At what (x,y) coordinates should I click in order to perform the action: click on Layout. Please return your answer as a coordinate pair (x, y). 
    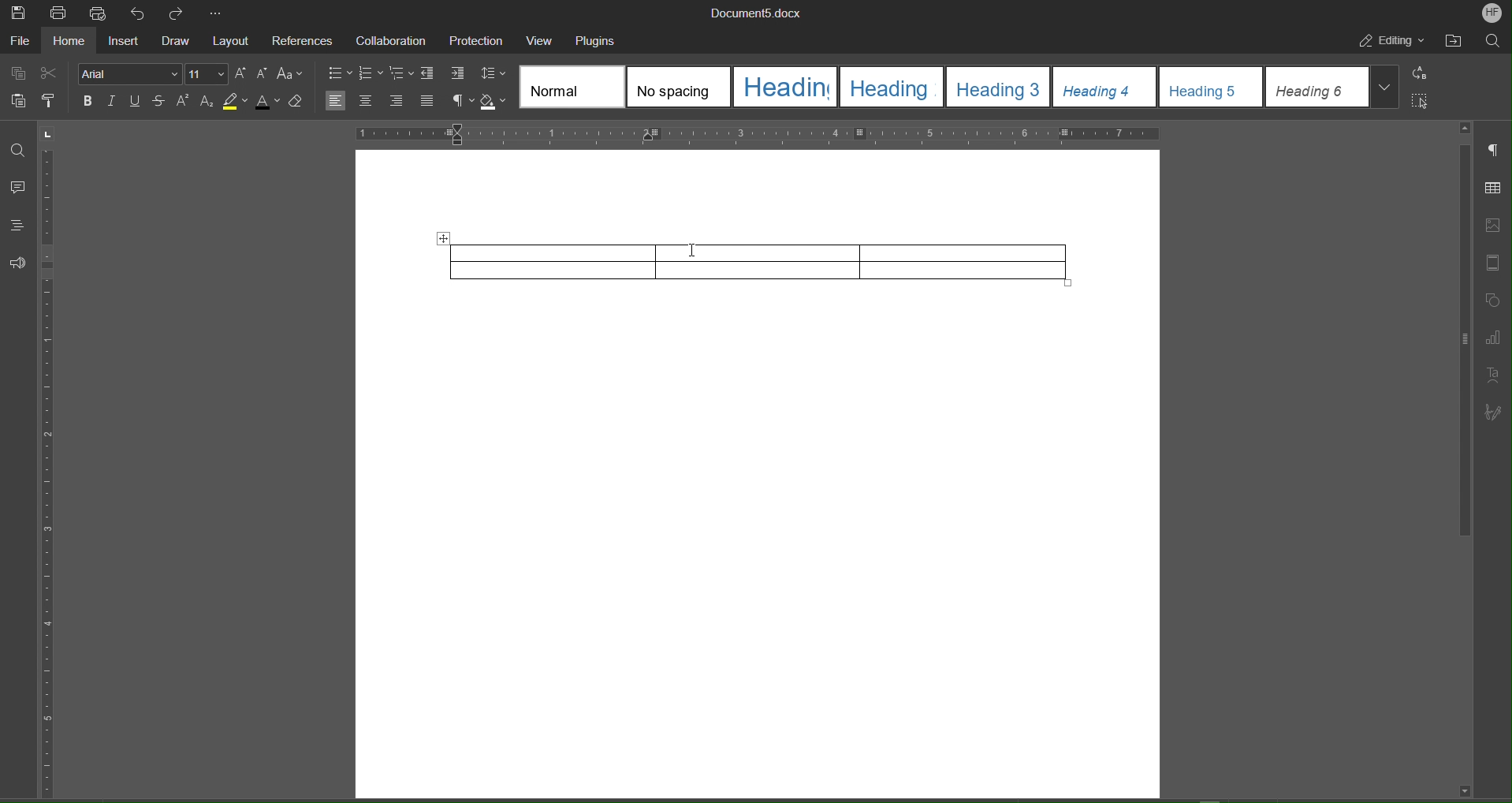
    Looking at the image, I should click on (234, 43).